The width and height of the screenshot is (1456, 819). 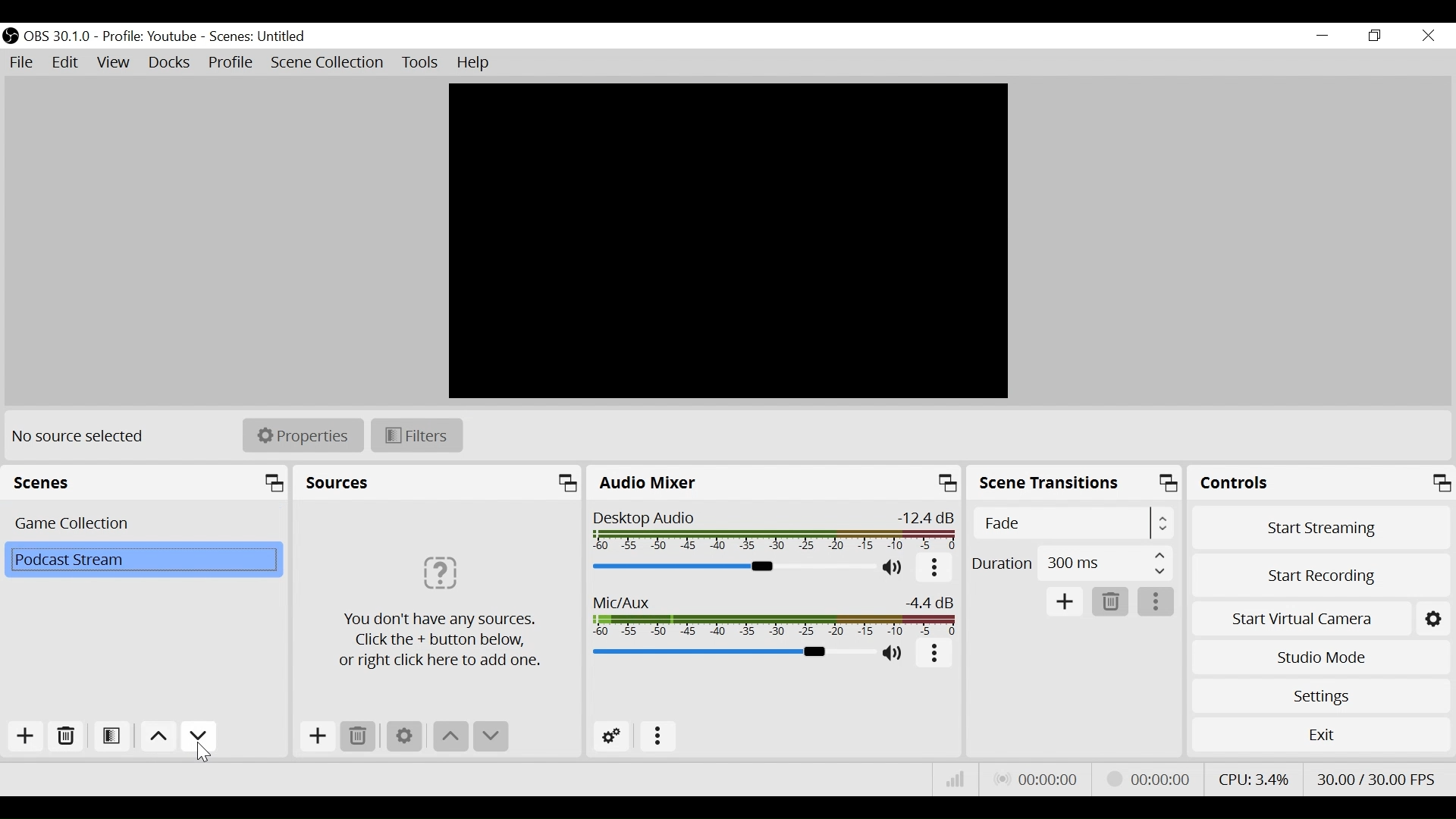 I want to click on Setting, so click(x=1434, y=616).